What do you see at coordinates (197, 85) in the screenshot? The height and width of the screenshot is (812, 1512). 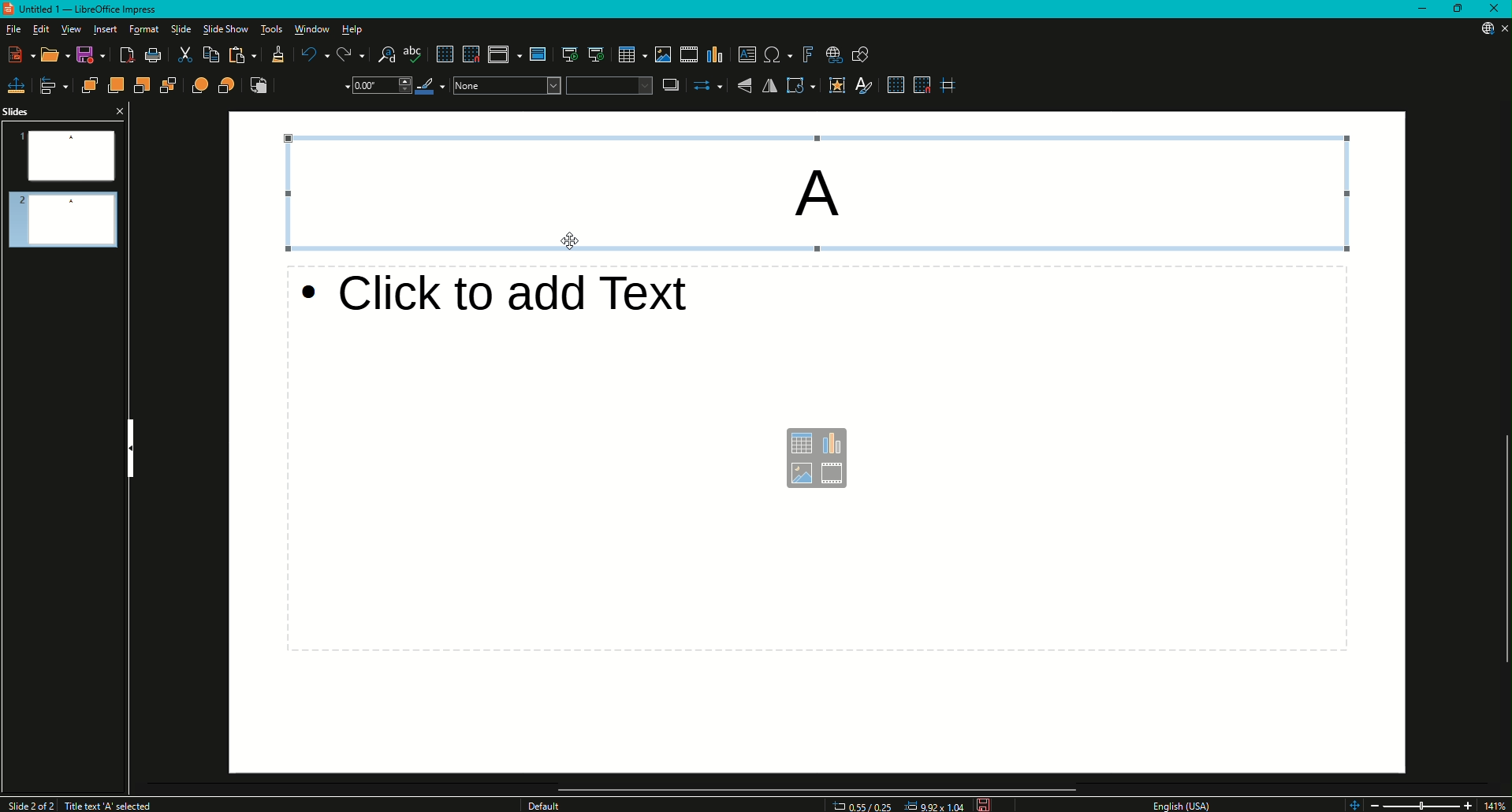 I see `In Front of Object` at bounding box center [197, 85].